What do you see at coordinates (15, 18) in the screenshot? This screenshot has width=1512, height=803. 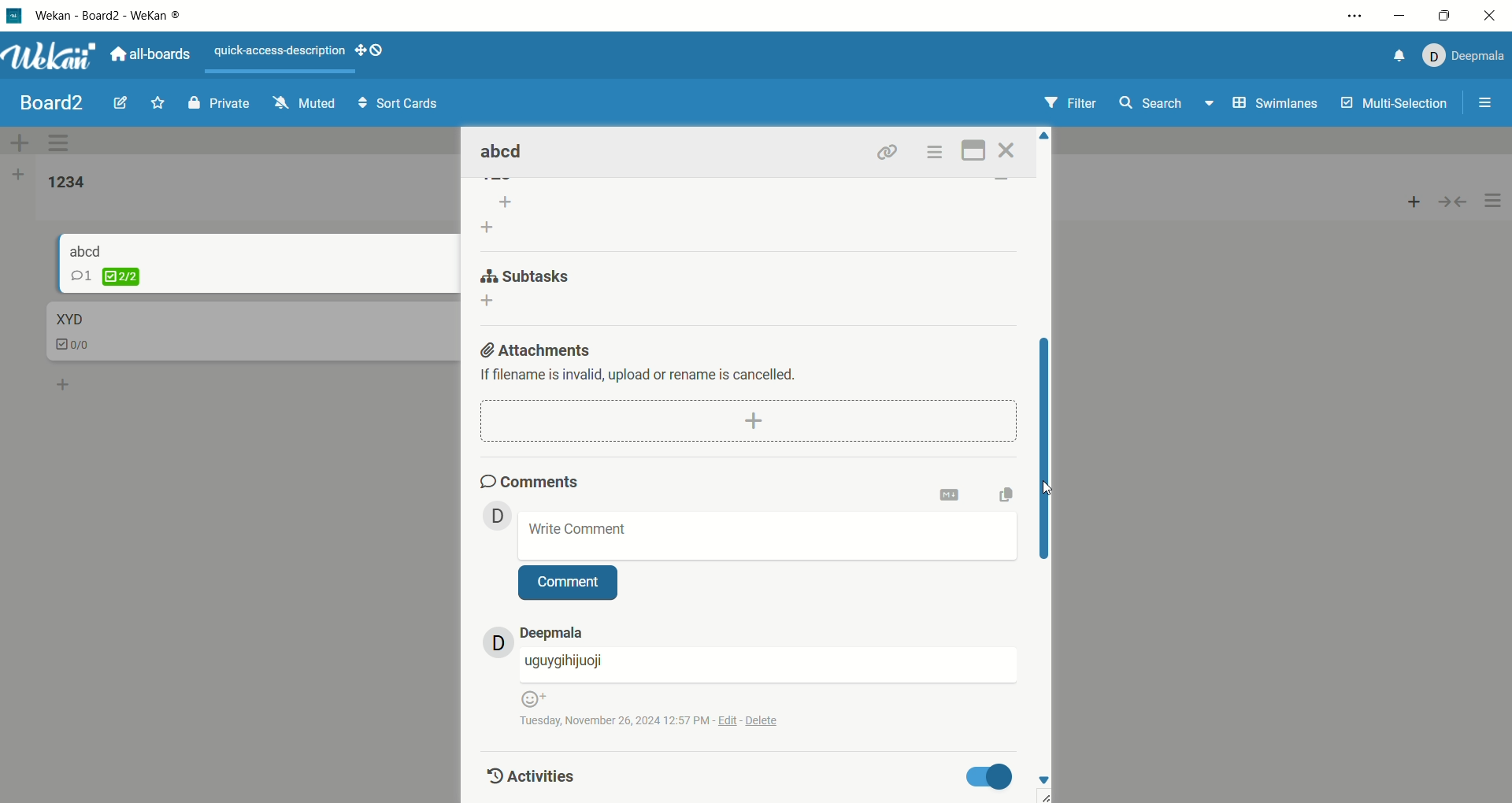 I see `logo` at bounding box center [15, 18].